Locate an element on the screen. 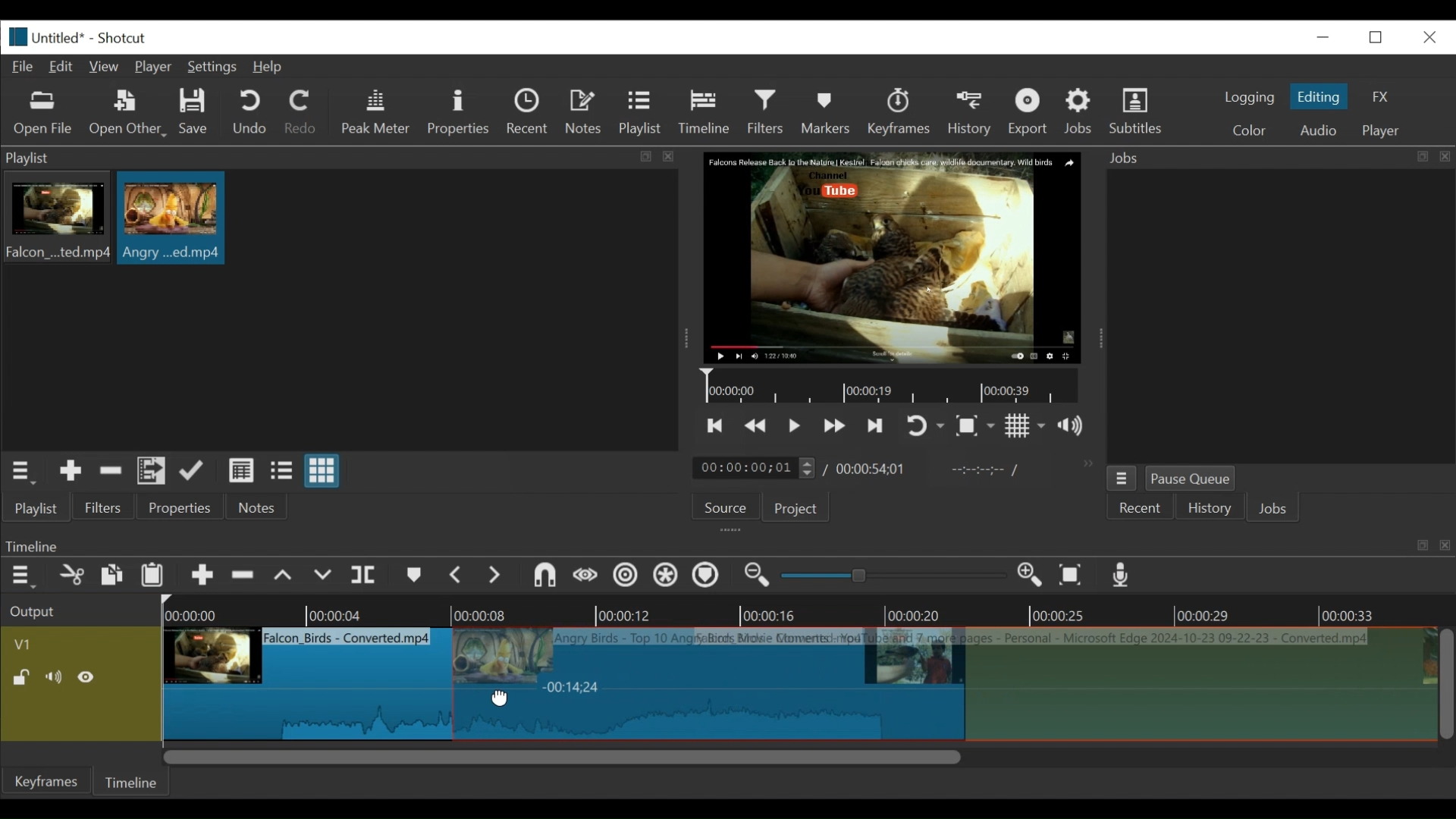  Previous marker is located at coordinates (457, 578).